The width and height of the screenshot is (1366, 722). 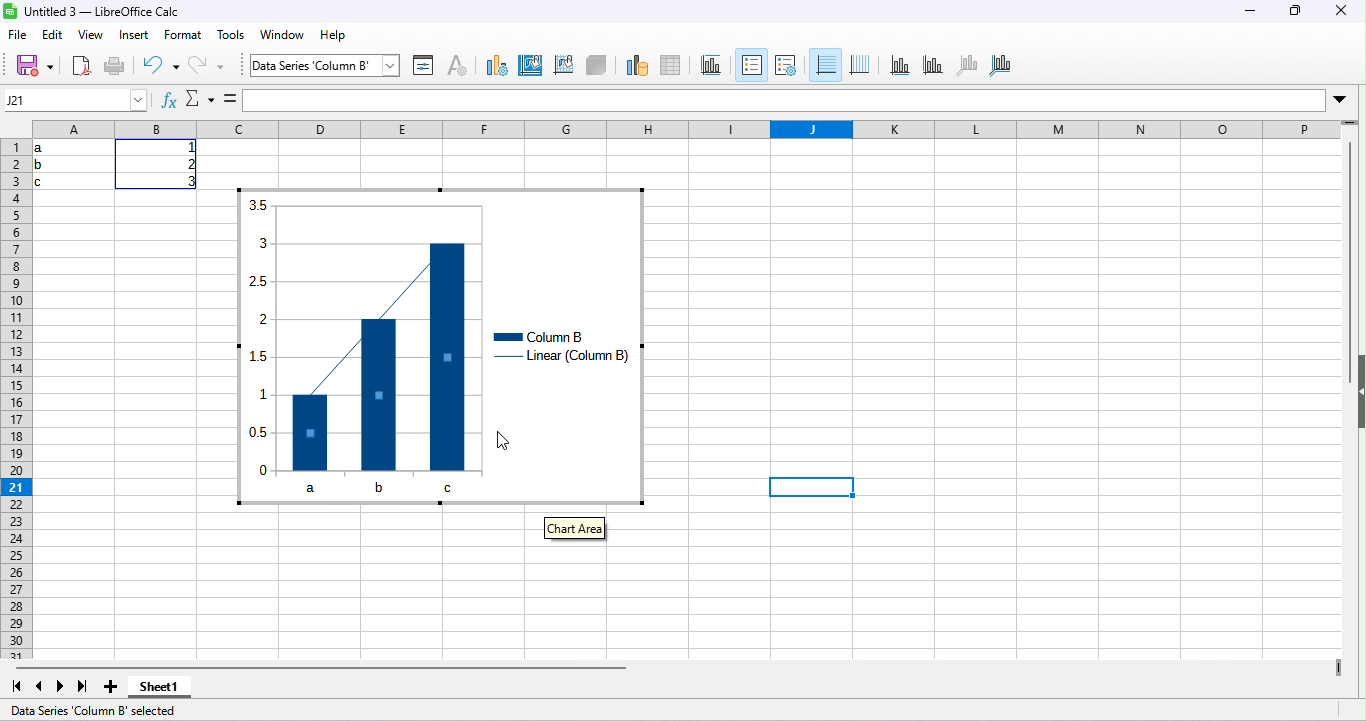 I want to click on sheet 1, so click(x=170, y=690).